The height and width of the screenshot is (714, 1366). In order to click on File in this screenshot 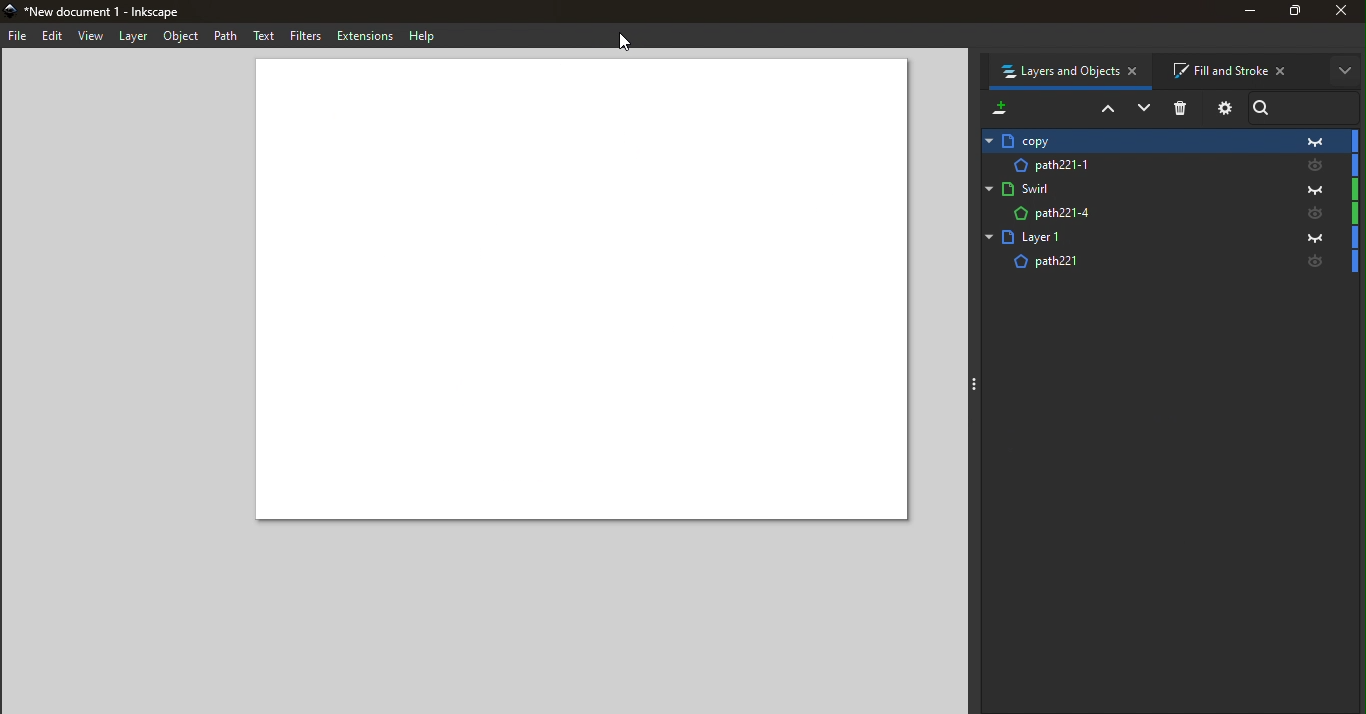, I will do `click(18, 36)`.